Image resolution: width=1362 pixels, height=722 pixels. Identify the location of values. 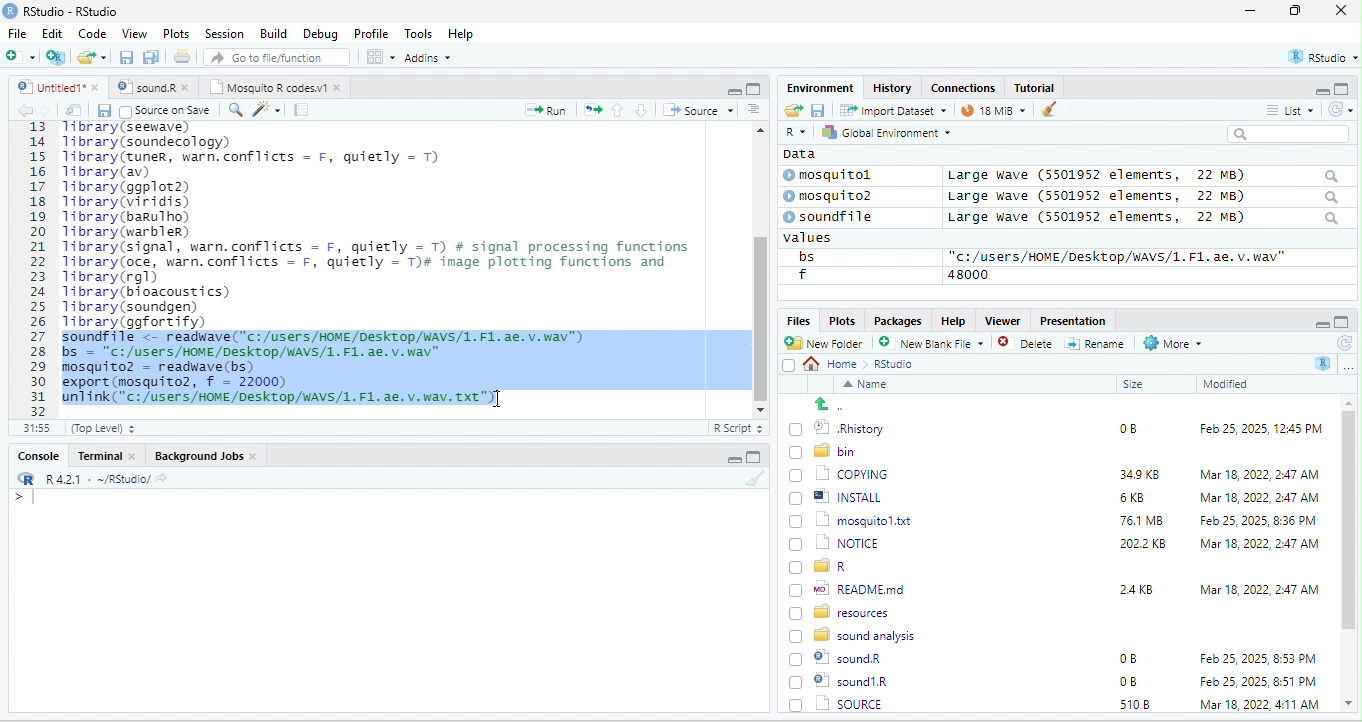
(818, 238).